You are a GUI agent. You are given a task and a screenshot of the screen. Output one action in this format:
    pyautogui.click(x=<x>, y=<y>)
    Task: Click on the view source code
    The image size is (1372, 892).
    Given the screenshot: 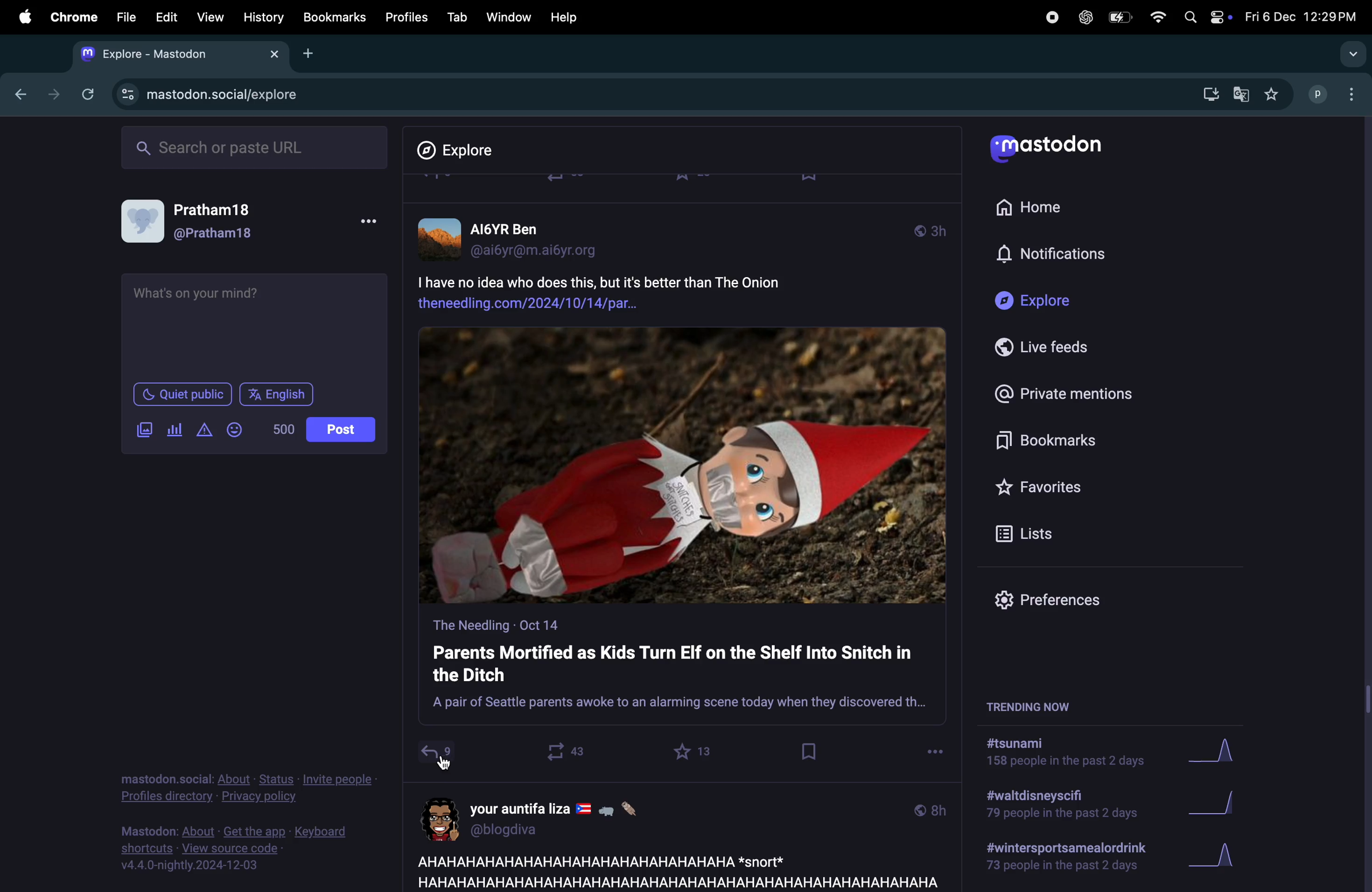 What is the action you would take?
    pyautogui.click(x=244, y=848)
    